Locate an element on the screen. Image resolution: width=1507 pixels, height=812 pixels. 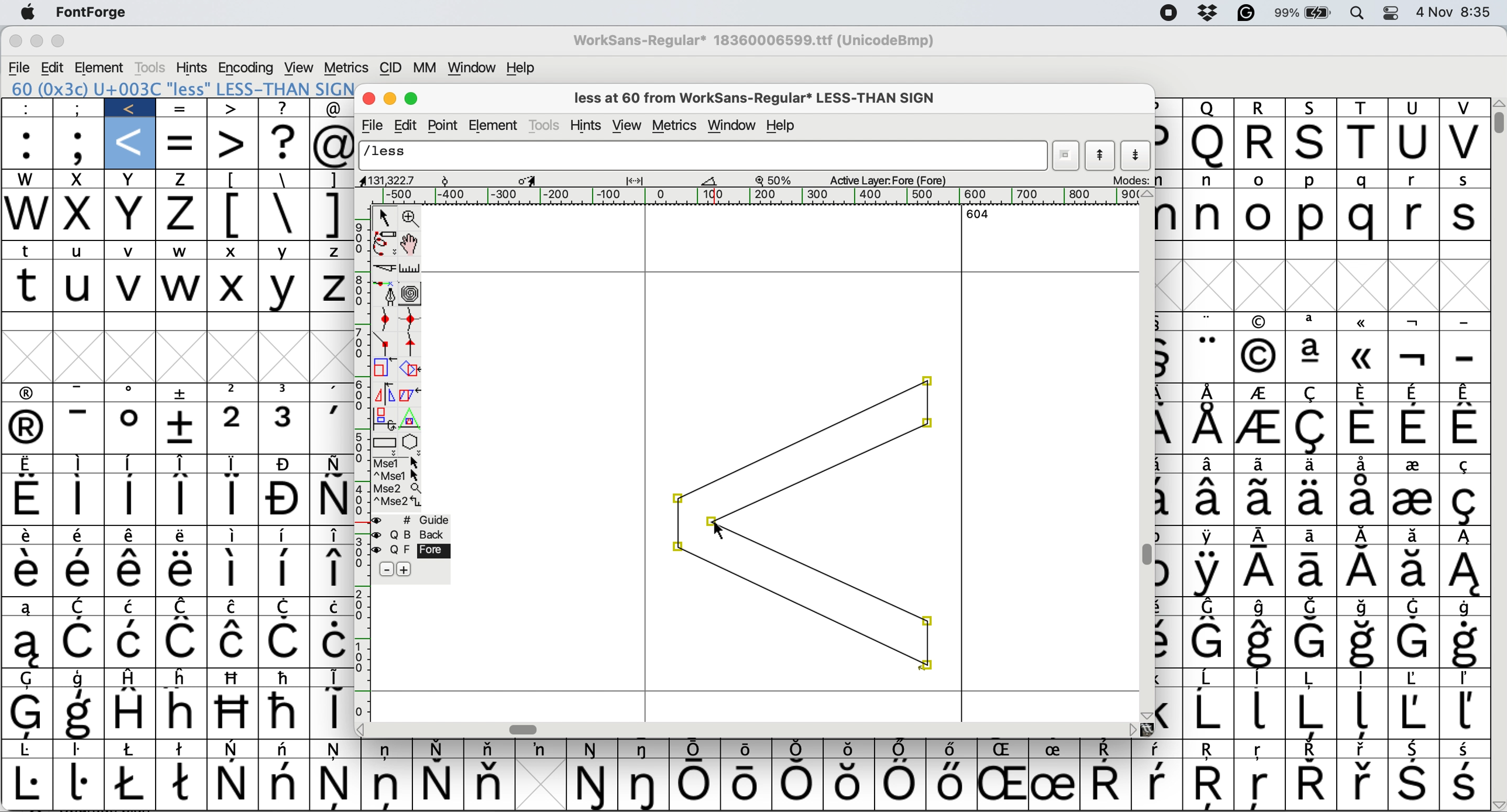
control center is located at coordinates (1395, 13).